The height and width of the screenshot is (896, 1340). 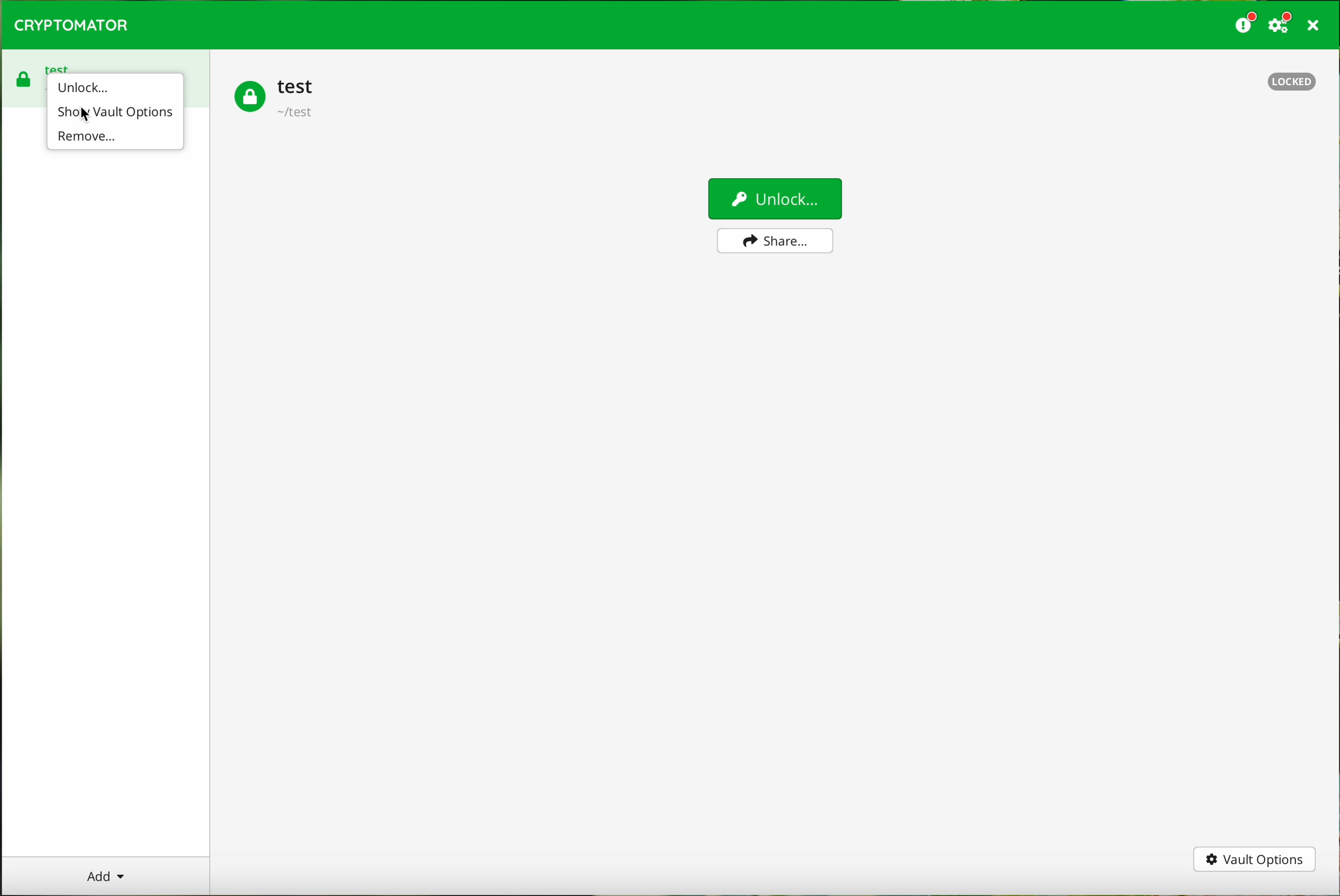 I want to click on vault options, so click(x=1255, y=860).